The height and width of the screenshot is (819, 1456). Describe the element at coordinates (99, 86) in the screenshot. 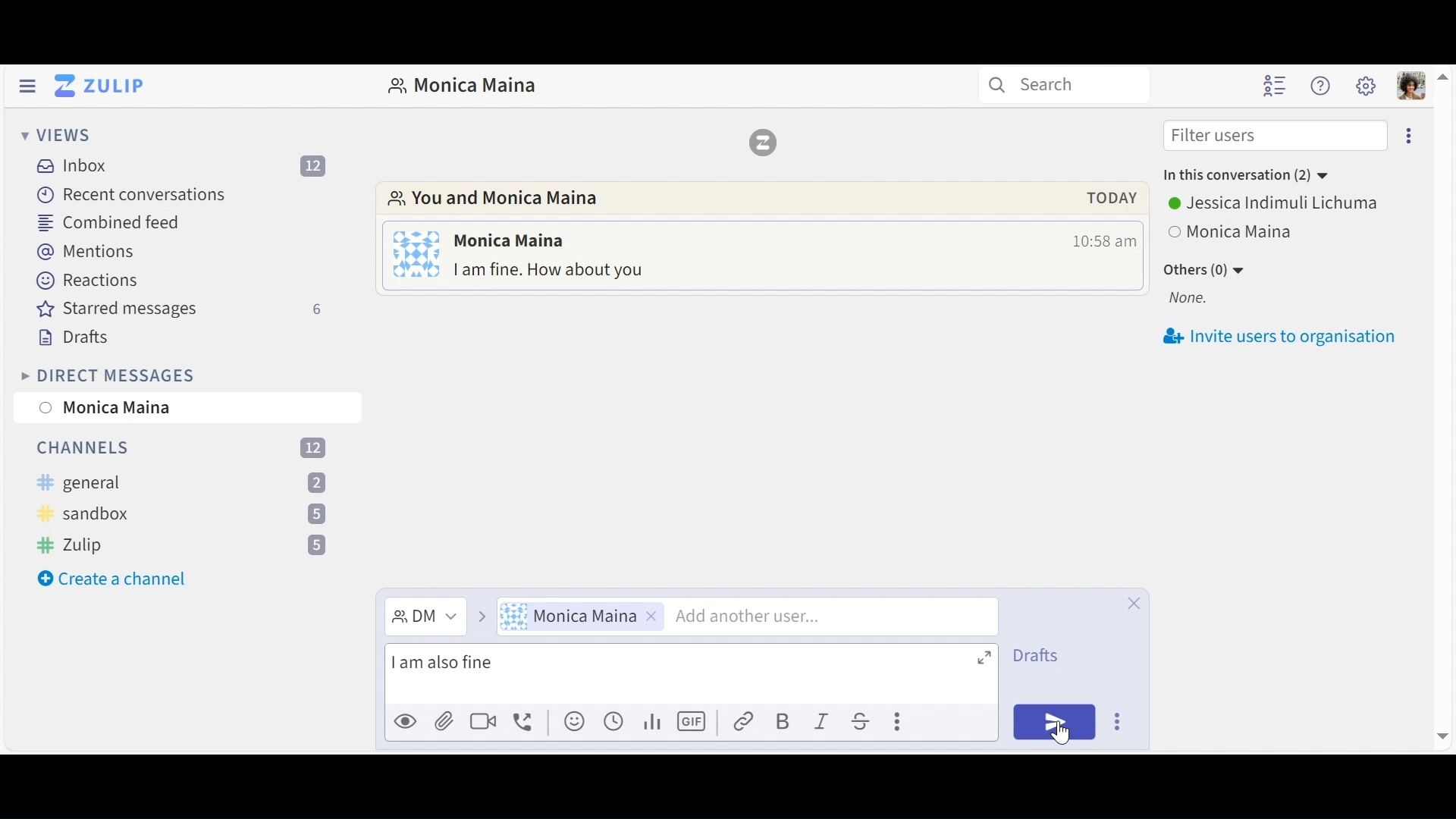

I see `Go to Home View (Inbox)` at that location.